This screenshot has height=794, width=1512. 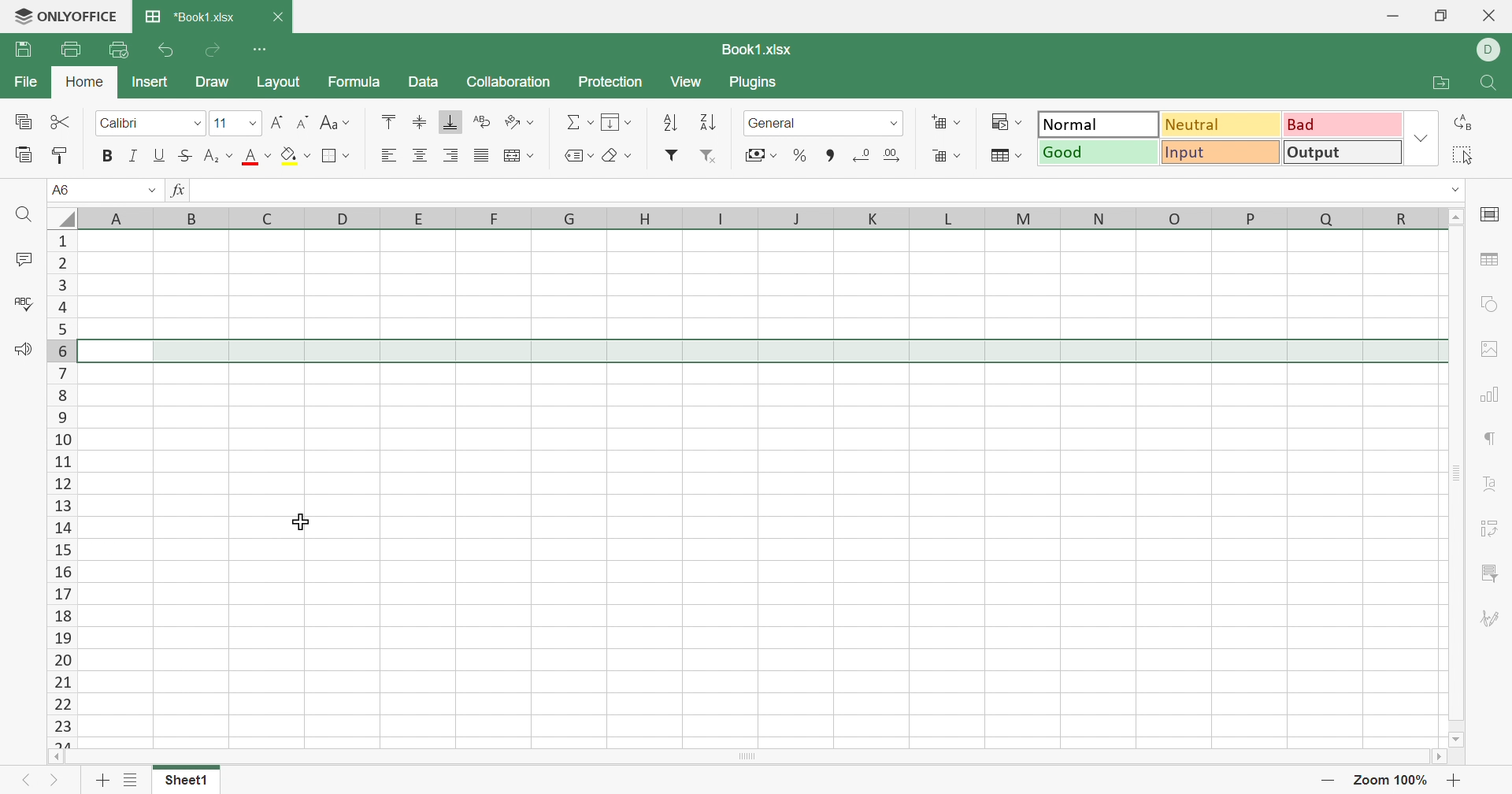 What do you see at coordinates (1443, 756) in the screenshot?
I see `Scroll Right` at bounding box center [1443, 756].